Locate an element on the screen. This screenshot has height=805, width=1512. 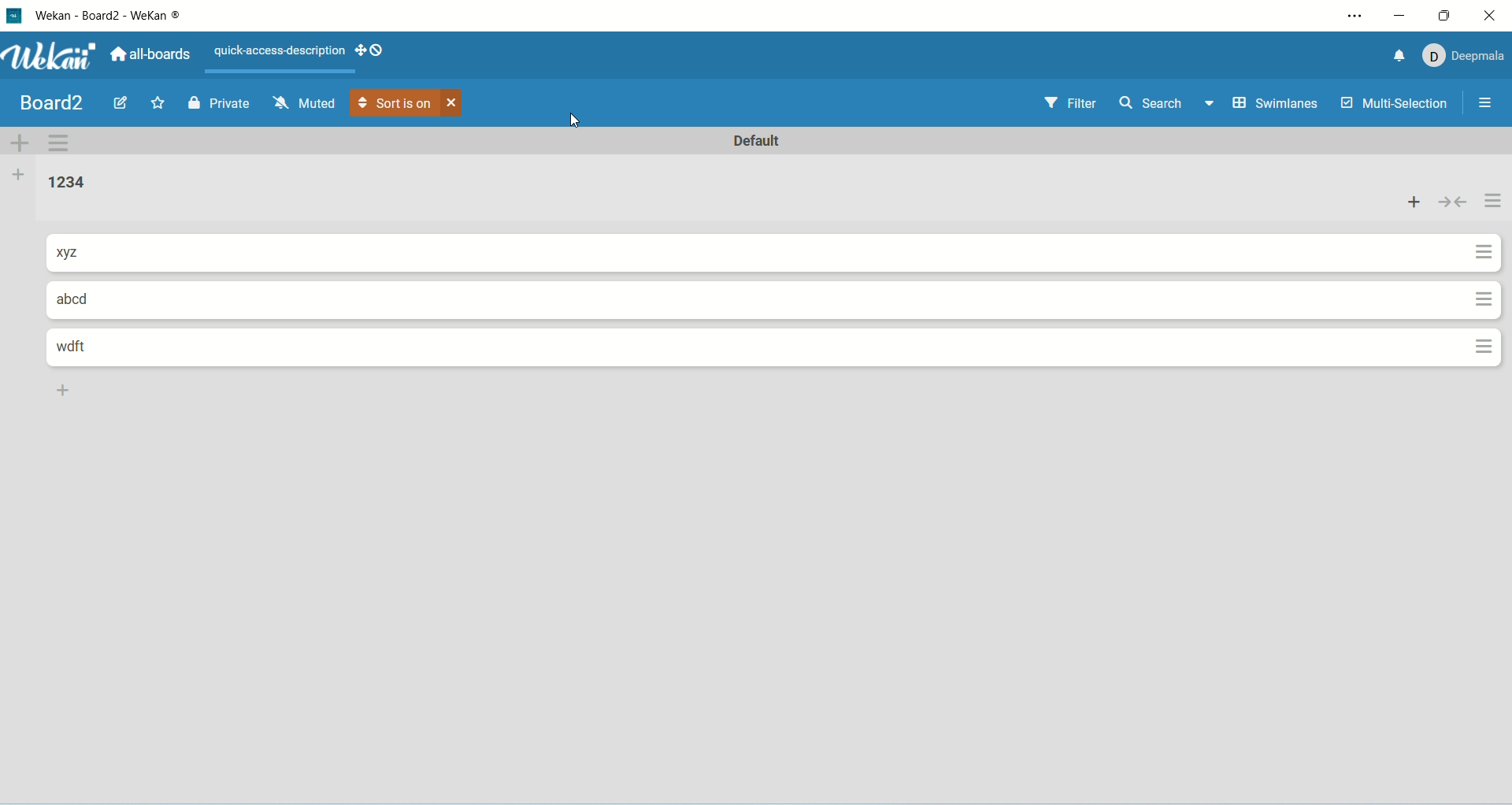
all boards is located at coordinates (153, 54).